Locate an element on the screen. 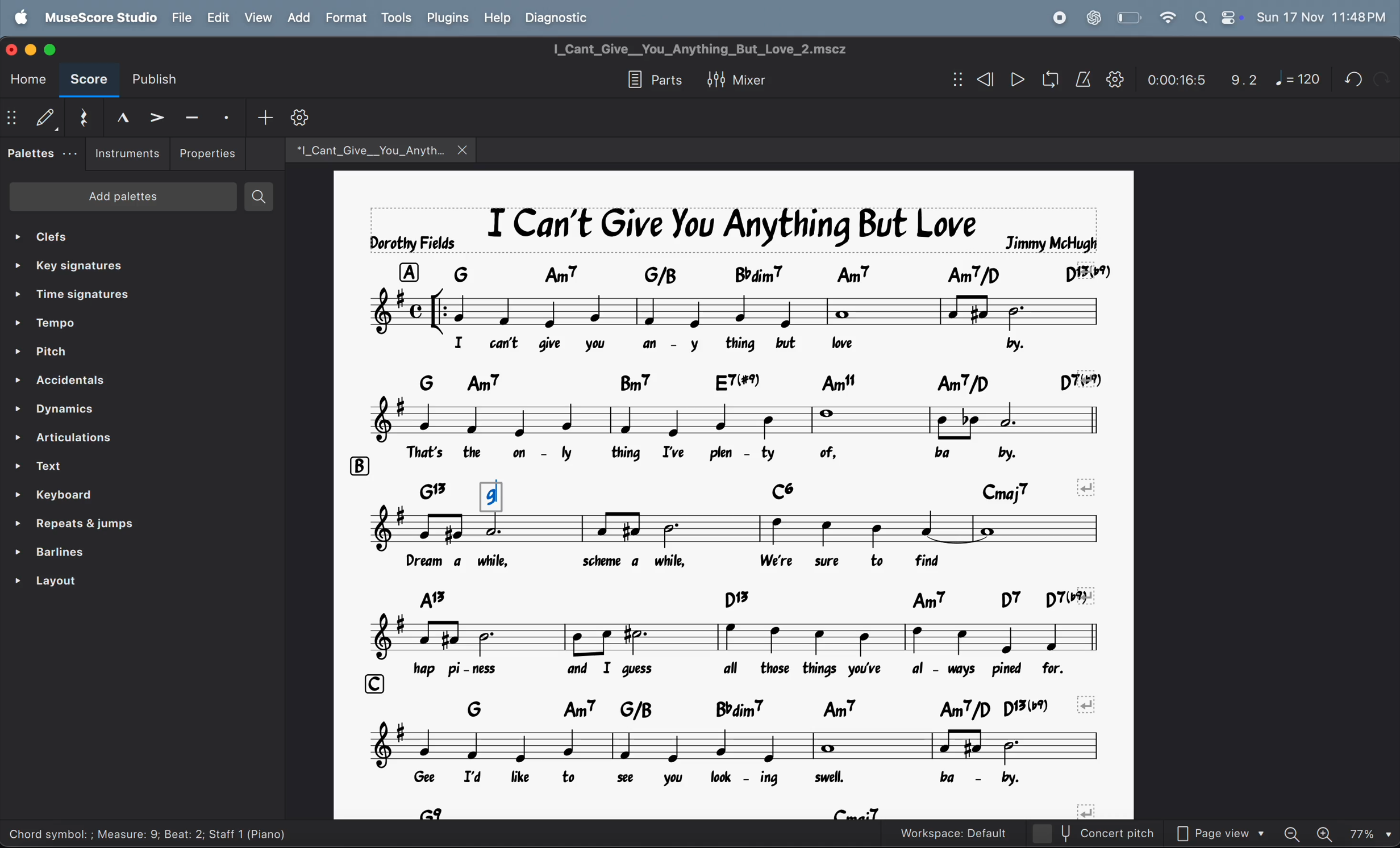  Format is located at coordinates (348, 16).